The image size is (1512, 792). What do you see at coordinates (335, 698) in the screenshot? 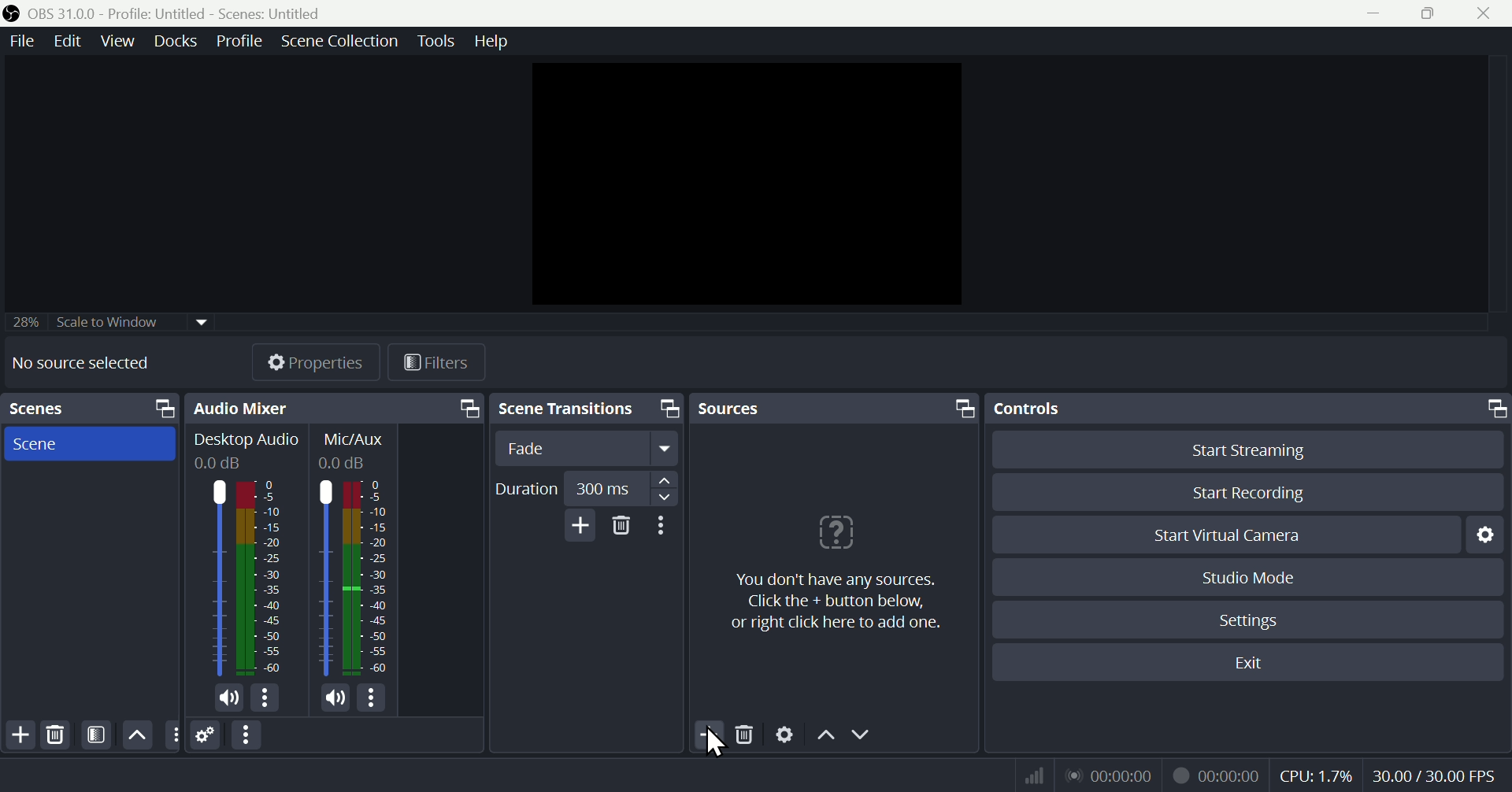
I see `(un)mute` at bounding box center [335, 698].